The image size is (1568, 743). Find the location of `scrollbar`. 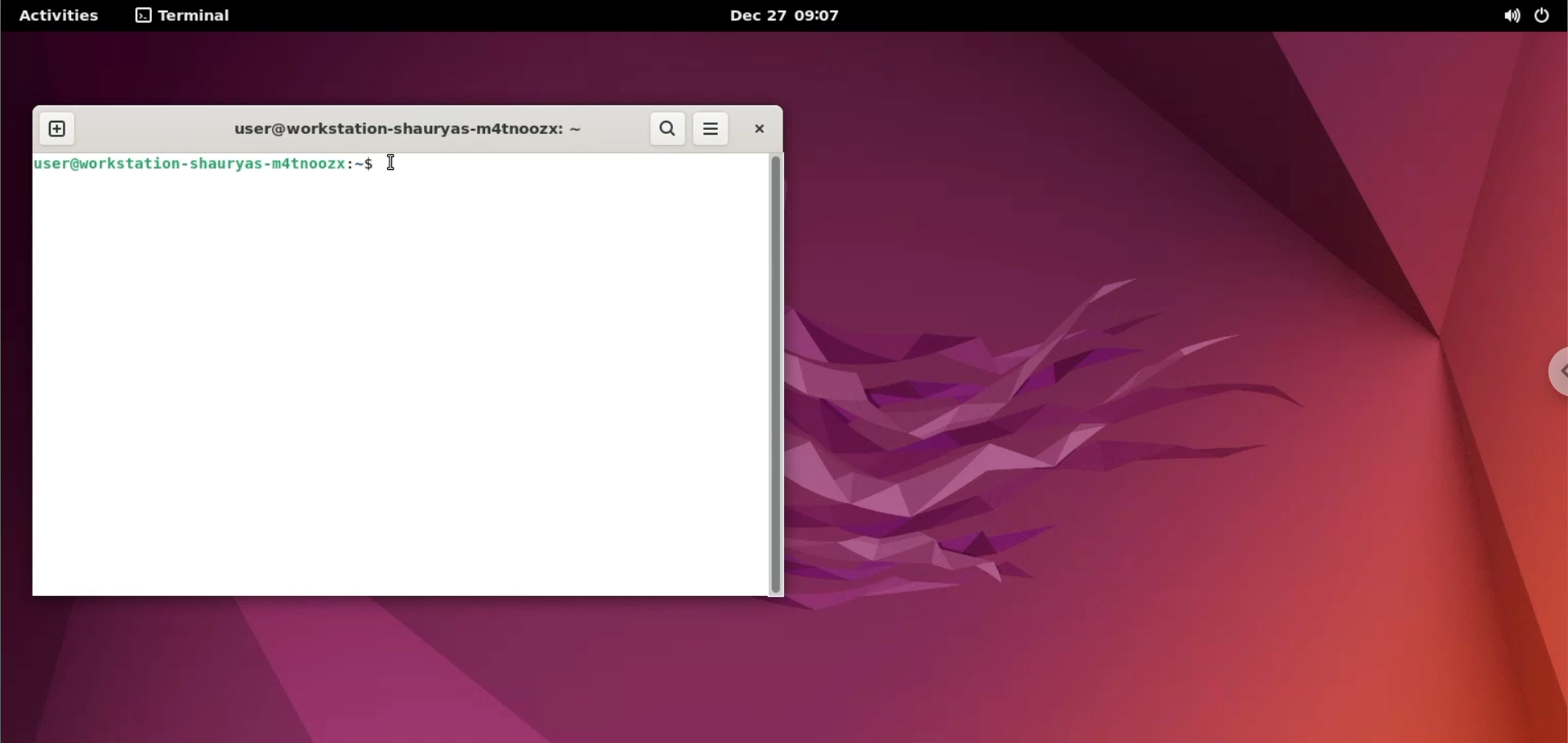

scrollbar is located at coordinates (778, 376).